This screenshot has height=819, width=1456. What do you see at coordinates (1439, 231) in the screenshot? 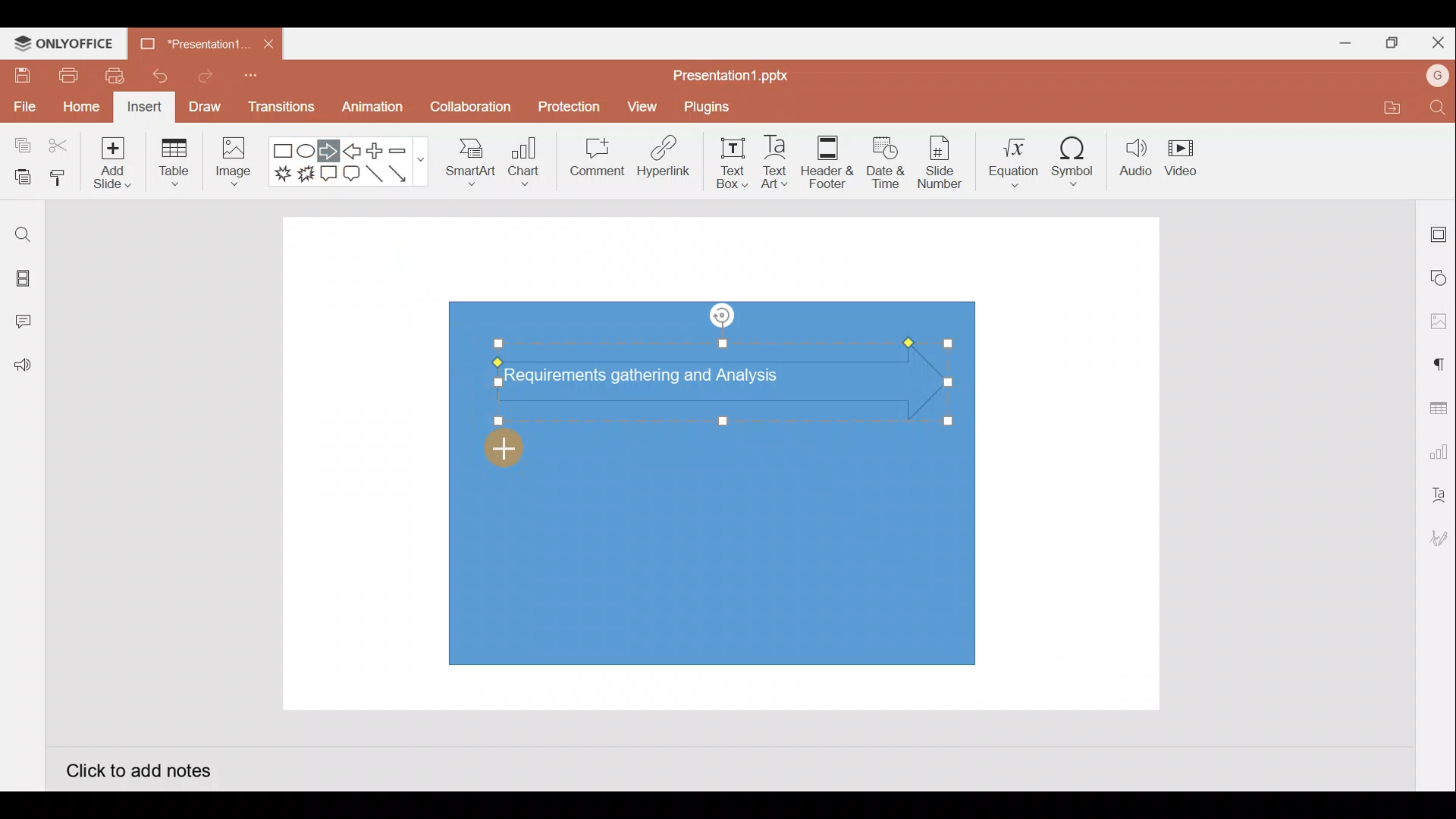
I see `Slide settings` at bounding box center [1439, 231].